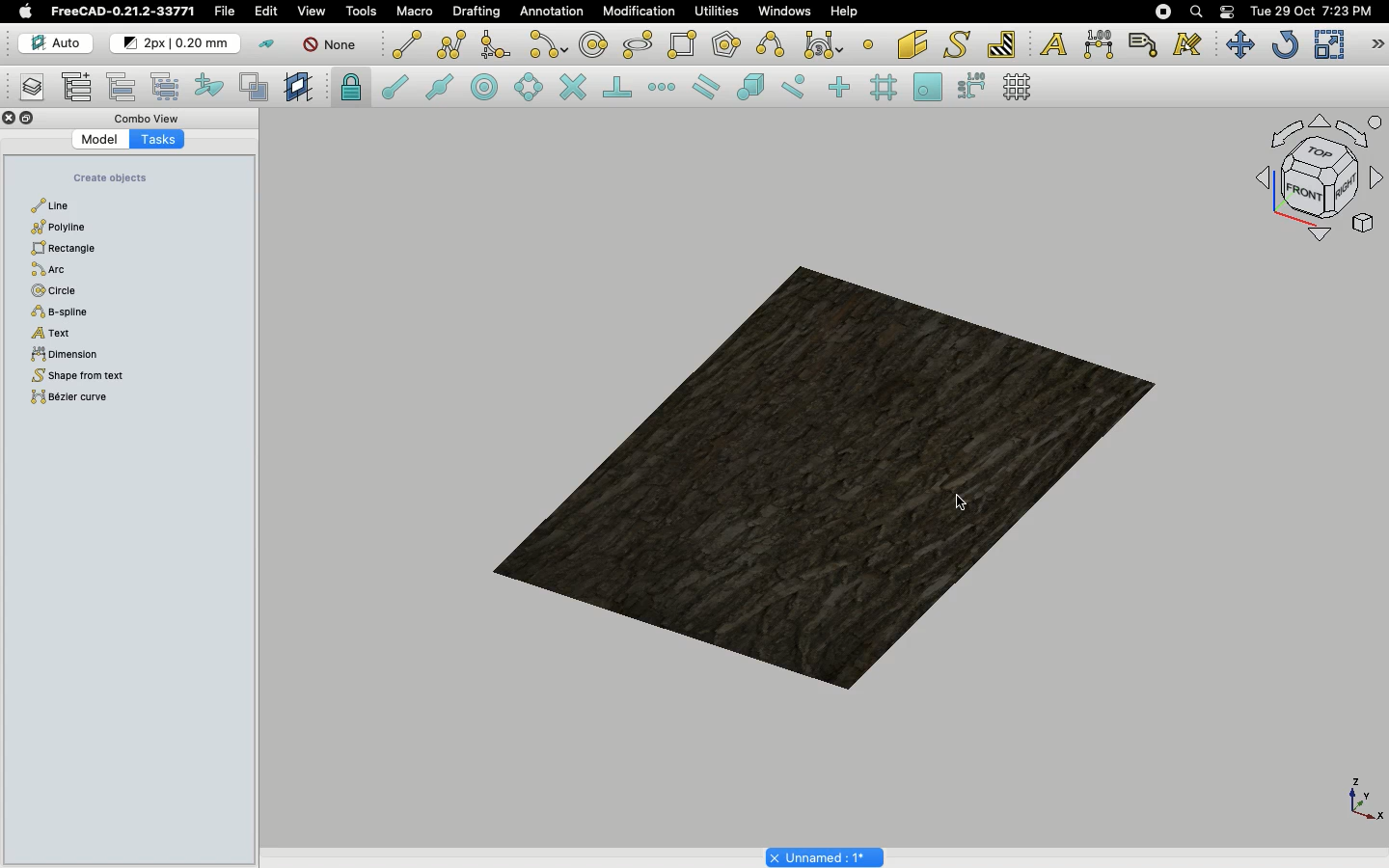  What do you see at coordinates (101, 140) in the screenshot?
I see `Model` at bounding box center [101, 140].